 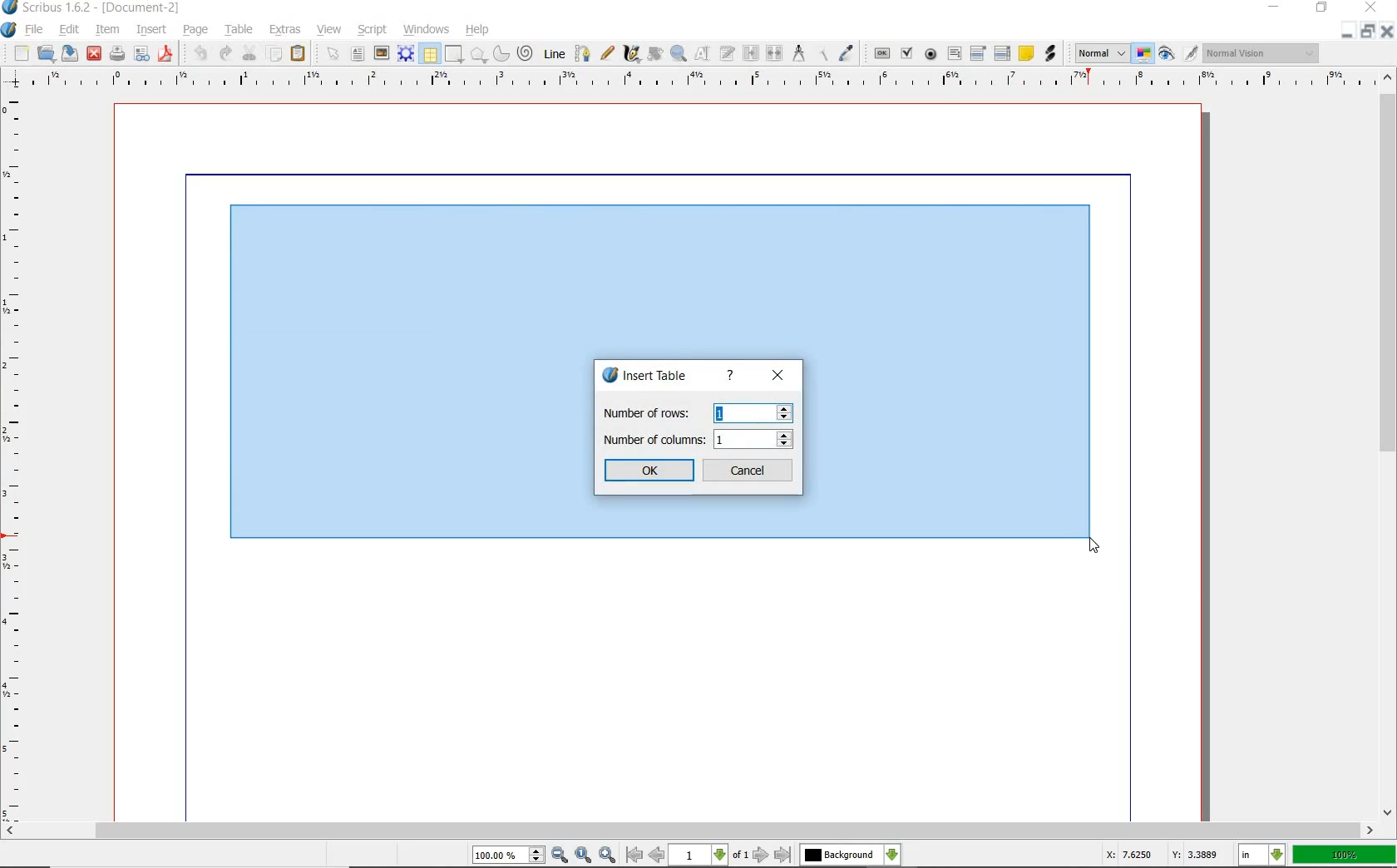 I want to click on number of columns, so click(x=753, y=440).